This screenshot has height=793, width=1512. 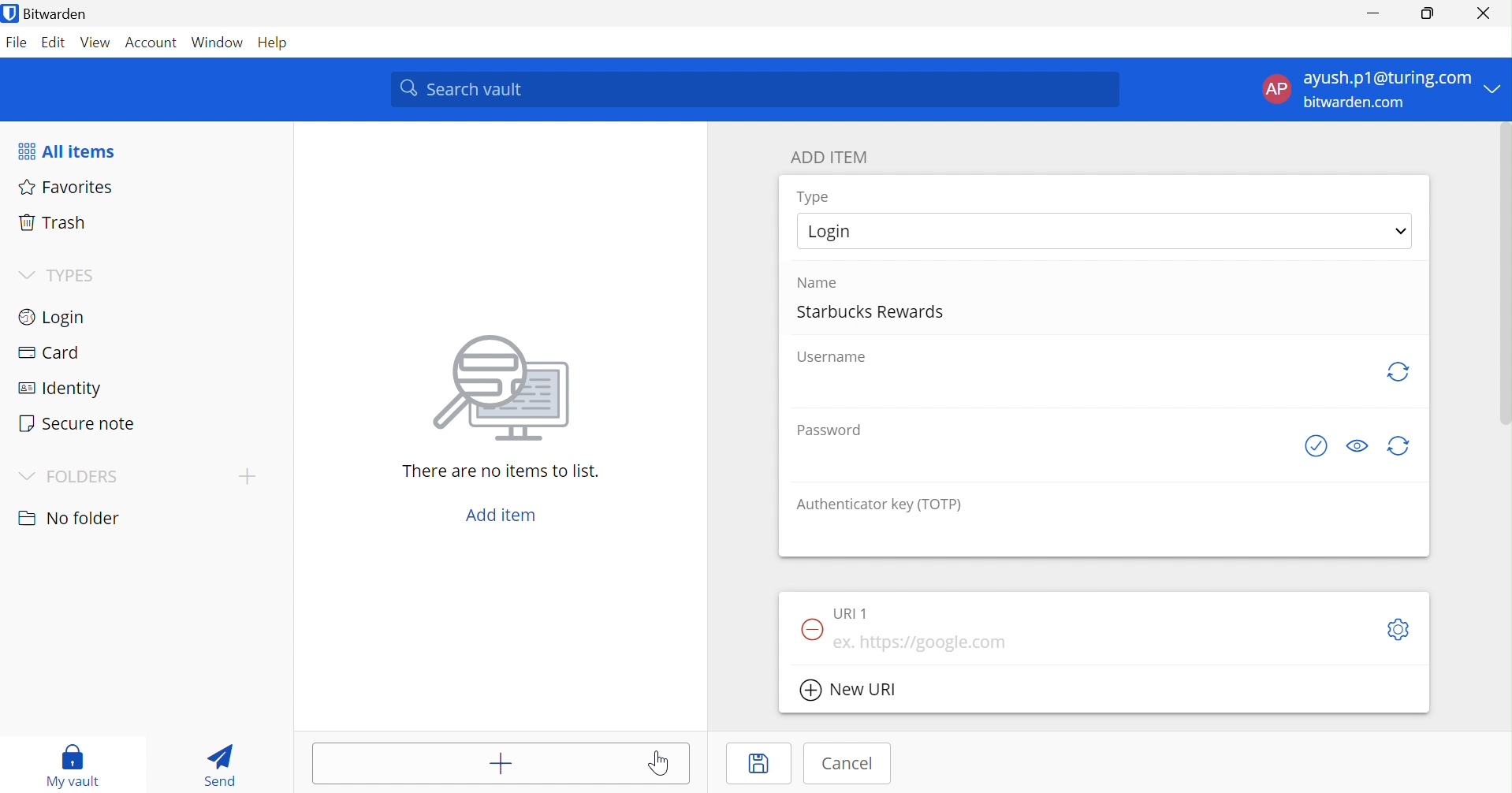 I want to click on Drop Down, so click(x=1496, y=87).